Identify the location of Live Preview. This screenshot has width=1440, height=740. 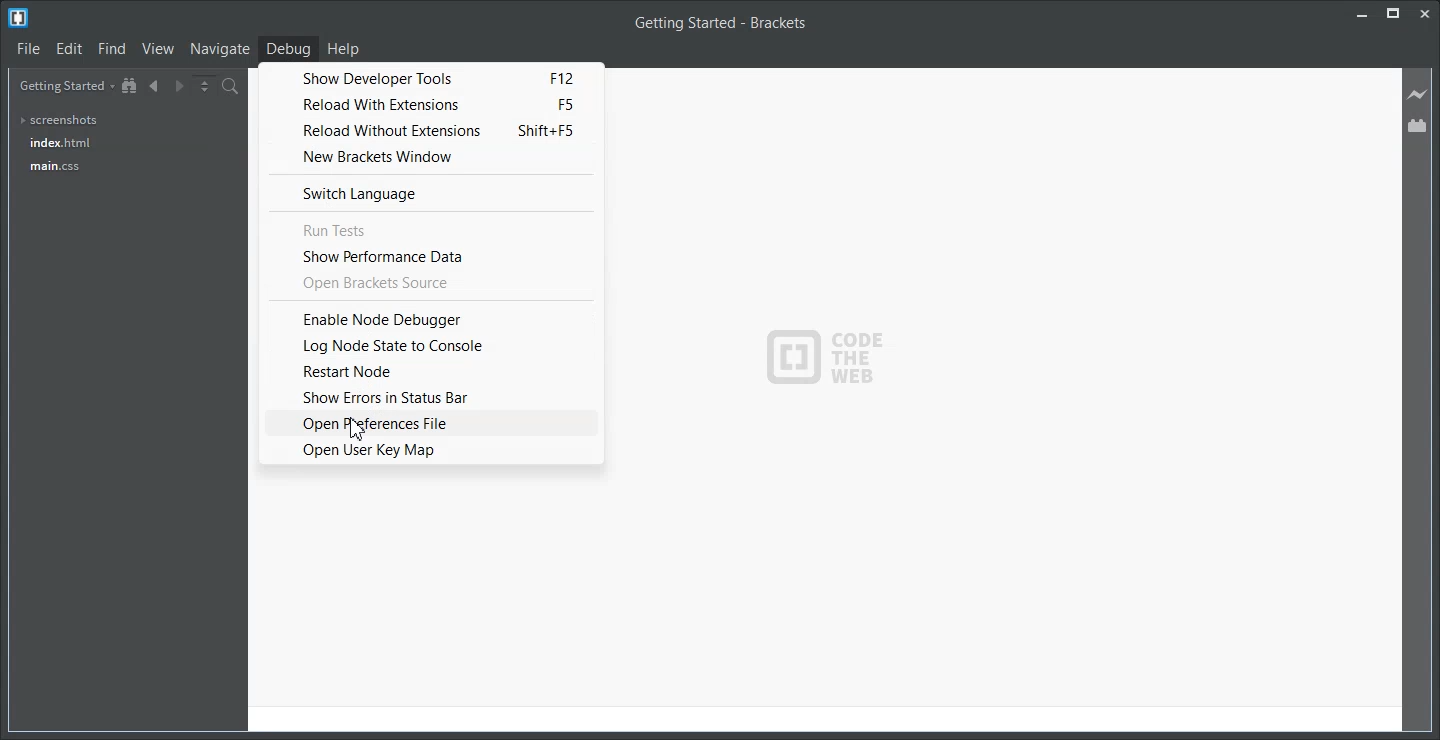
(1418, 93).